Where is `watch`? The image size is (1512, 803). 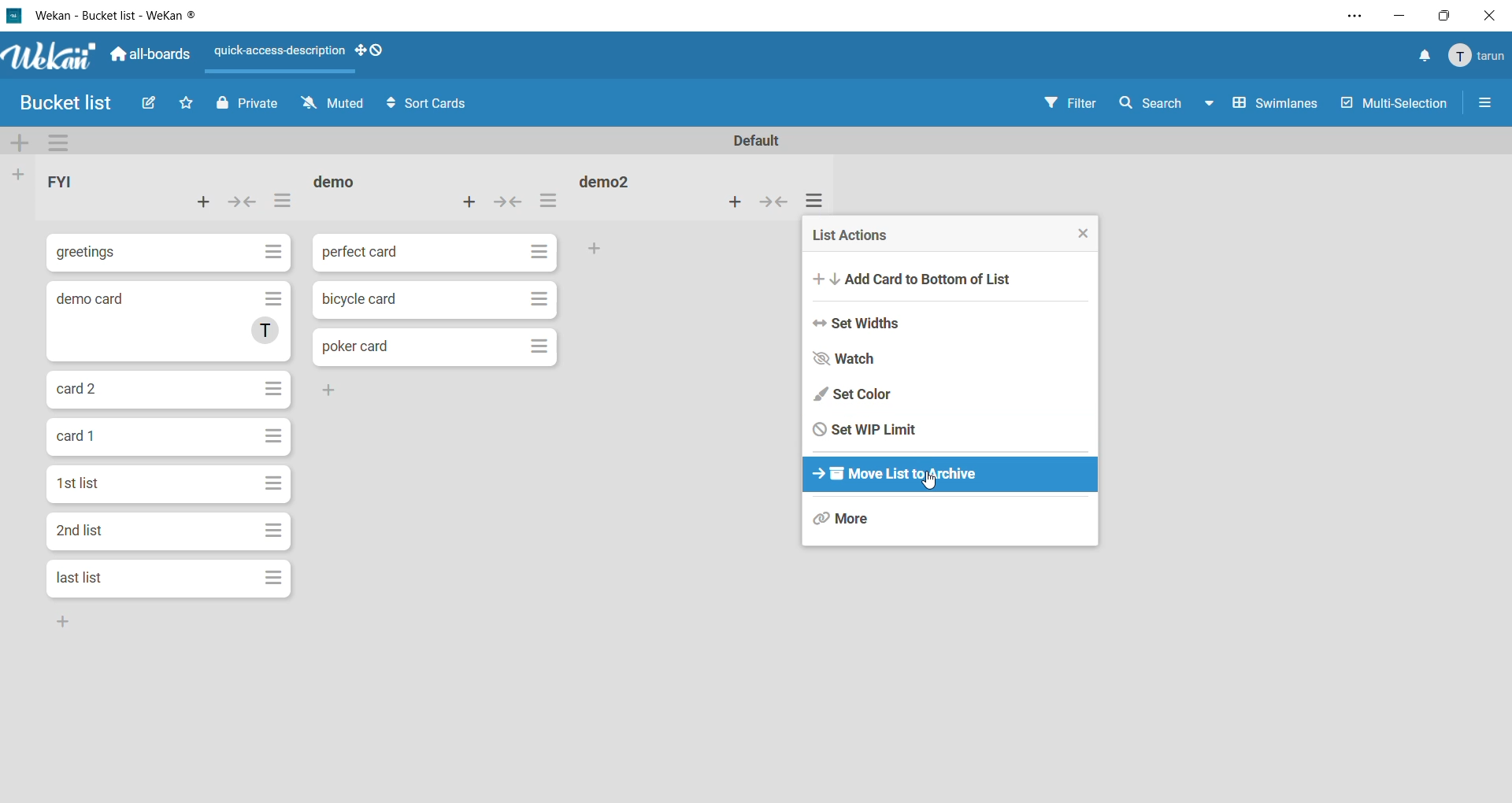
watch is located at coordinates (855, 358).